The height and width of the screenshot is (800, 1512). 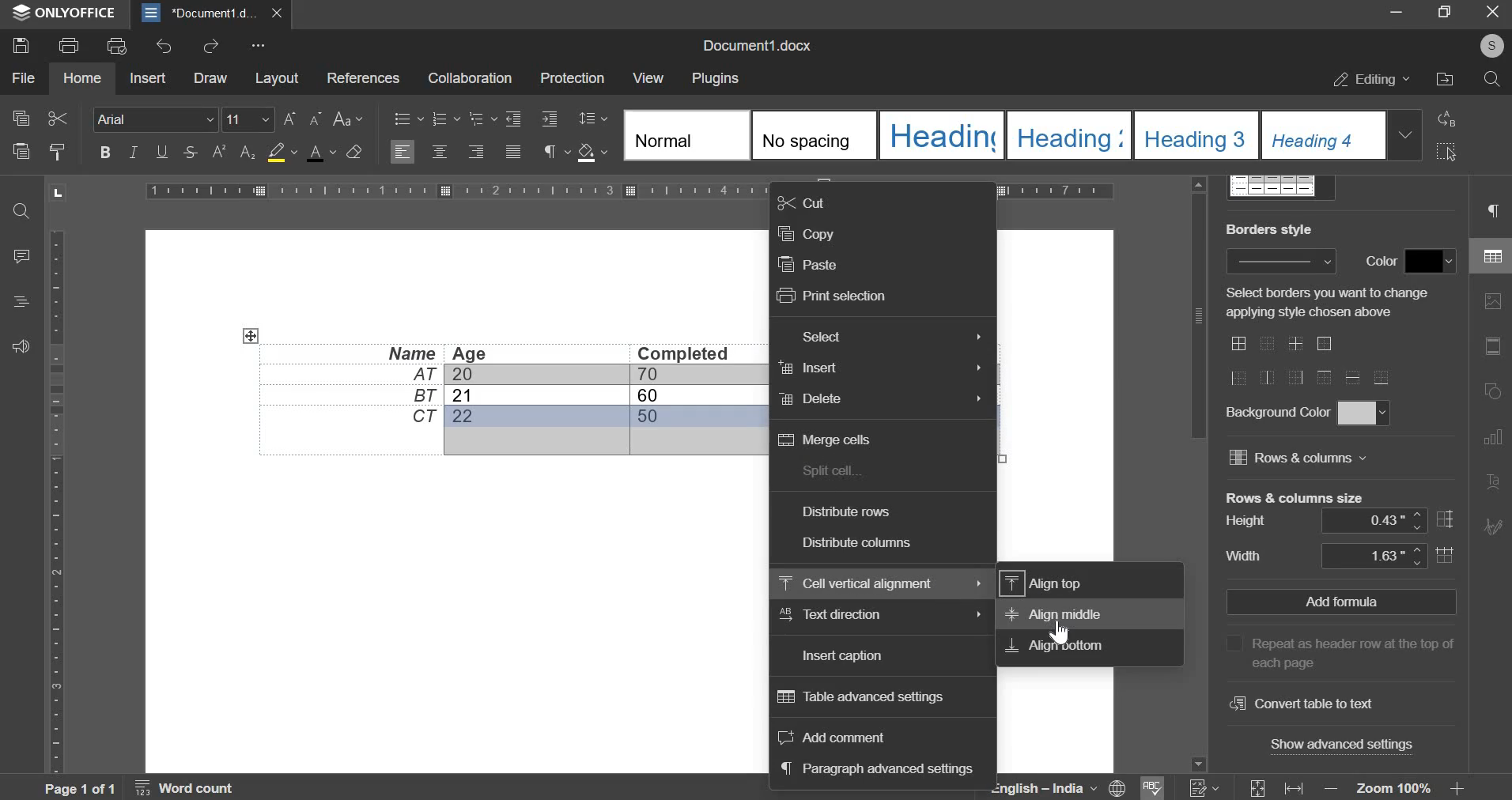 What do you see at coordinates (1365, 413) in the screenshot?
I see `background colors` at bounding box center [1365, 413].